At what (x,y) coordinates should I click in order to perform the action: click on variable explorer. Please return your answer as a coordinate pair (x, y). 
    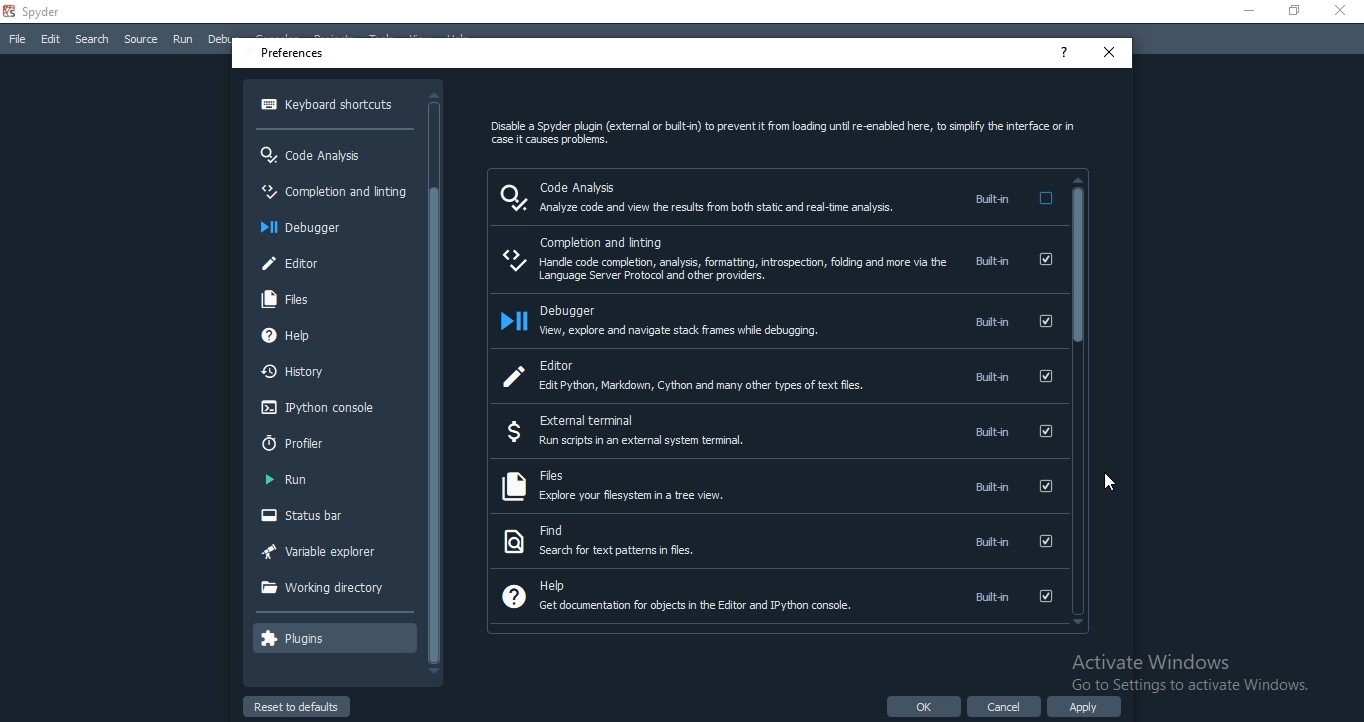
    Looking at the image, I should click on (329, 551).